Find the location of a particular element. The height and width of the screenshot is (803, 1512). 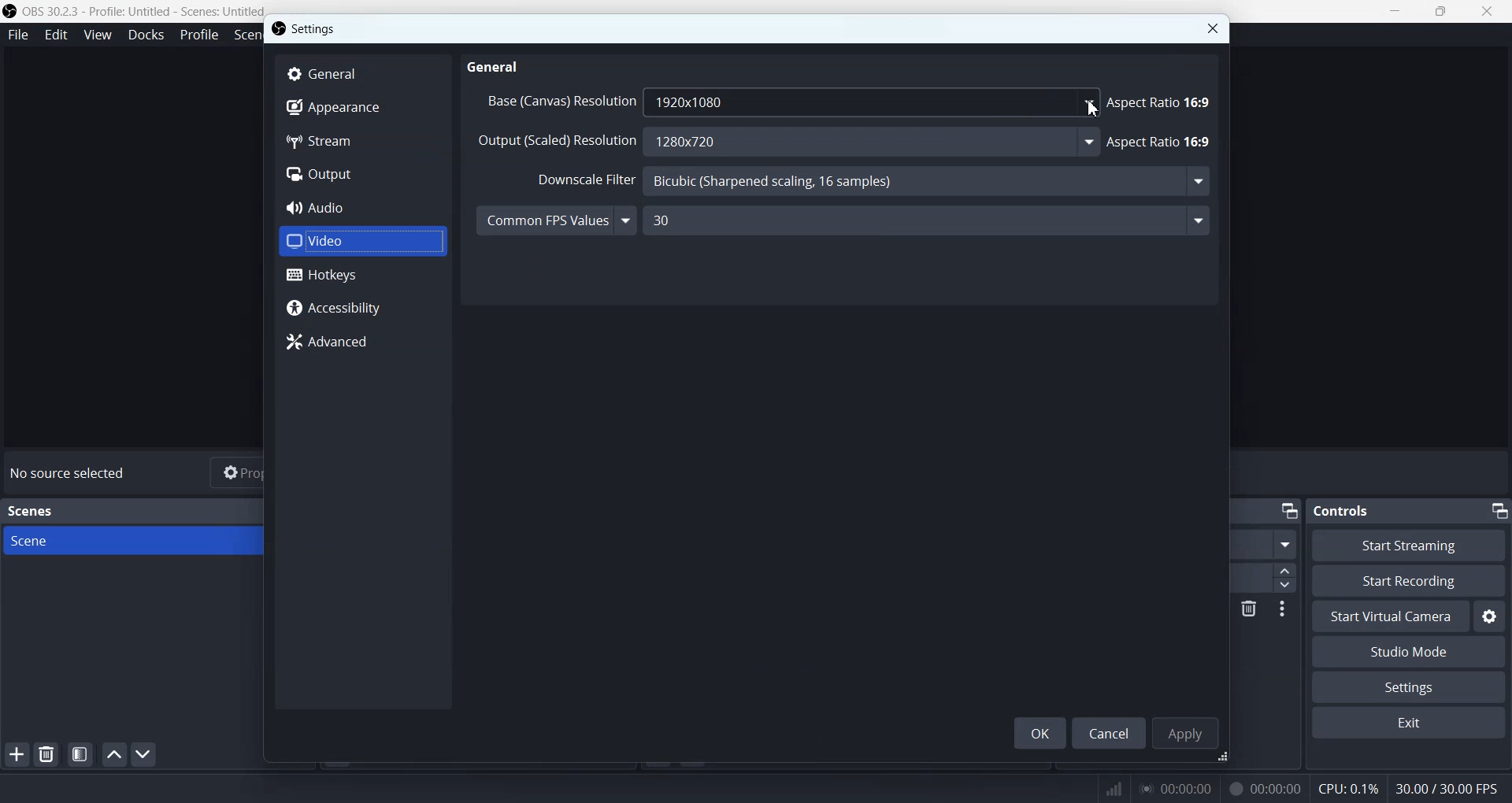

Apply is located at coordinates (1188, 731).